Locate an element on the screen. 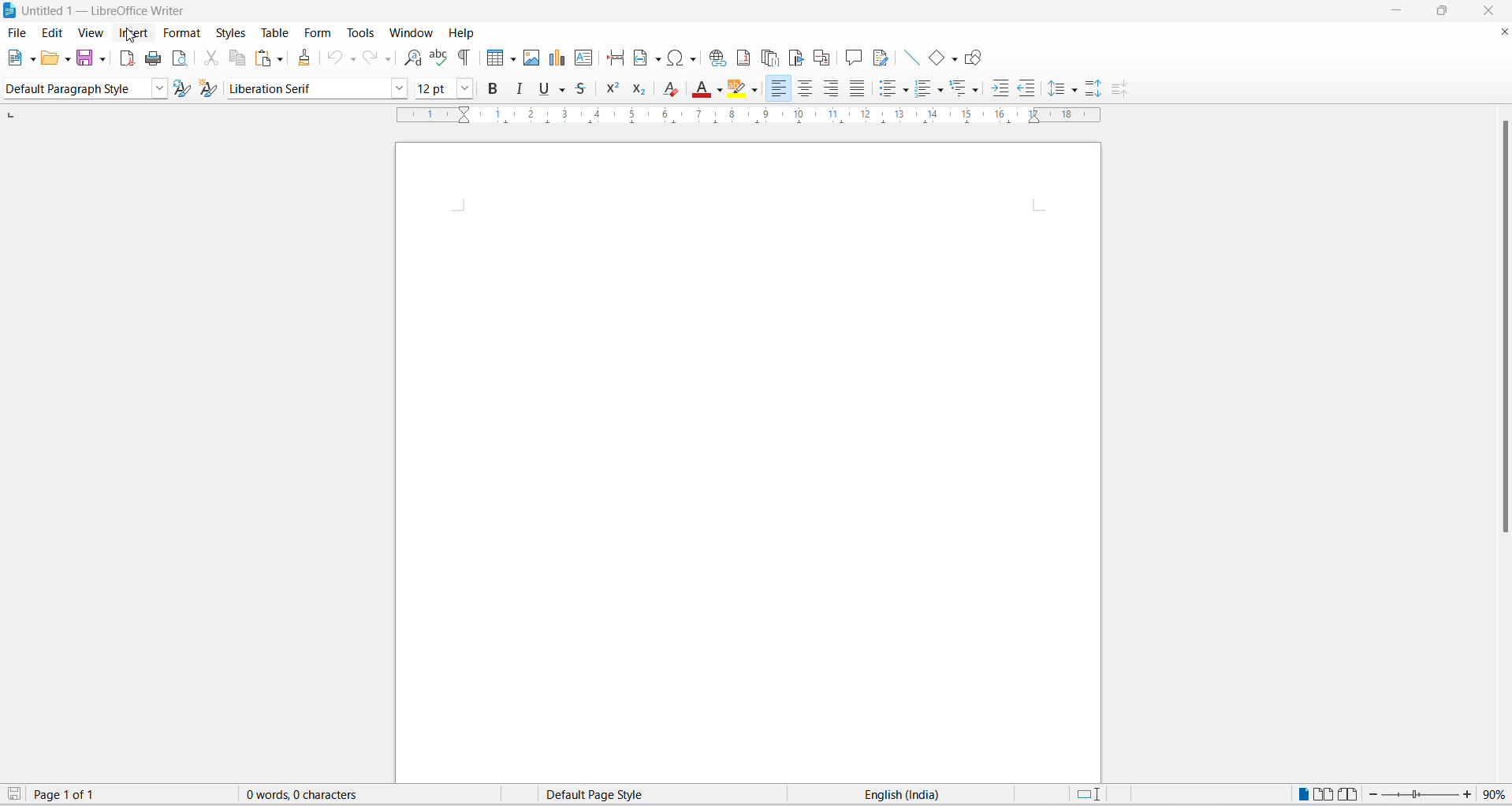  print is located at coordinates (150, 57).